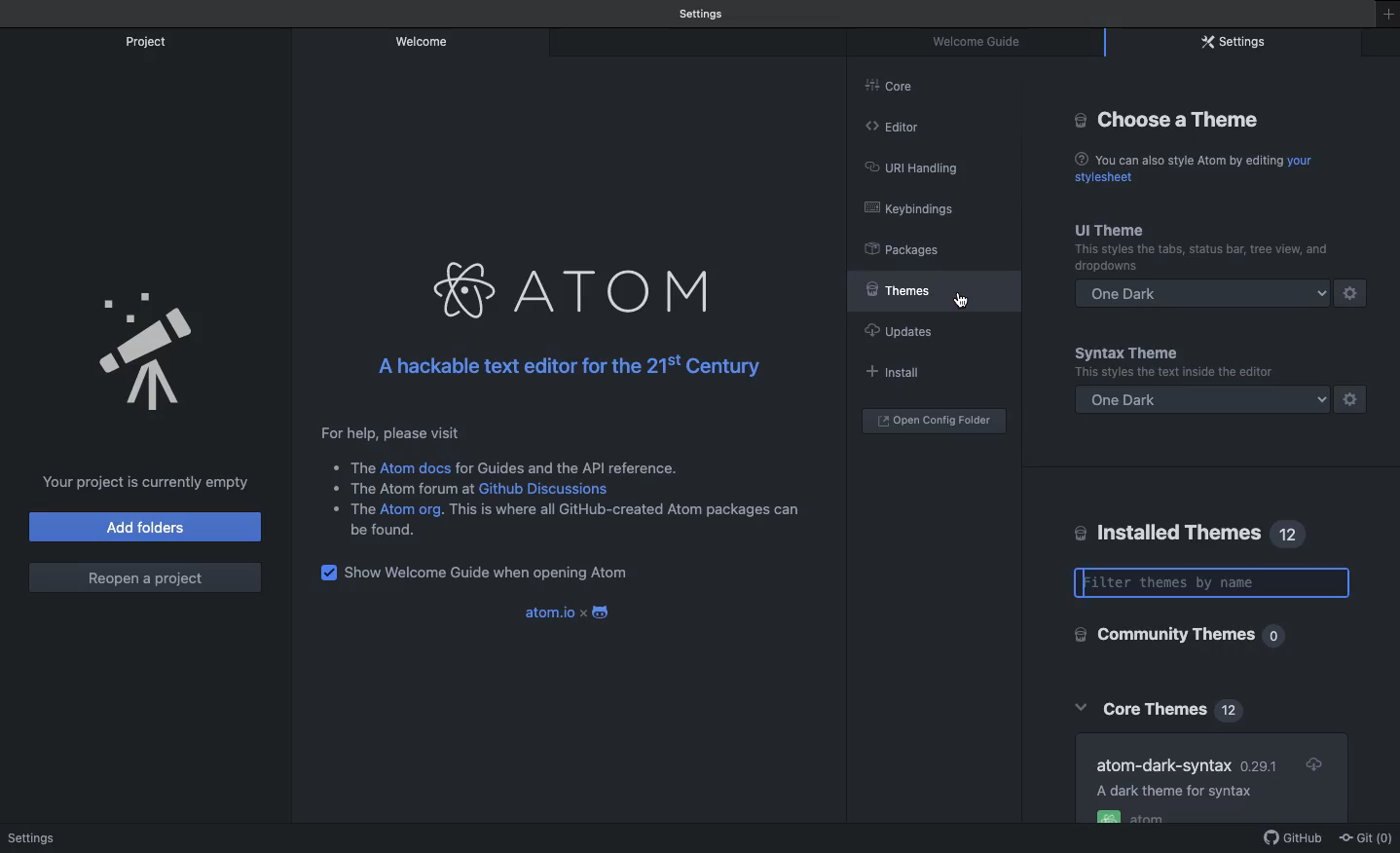 This screenshot has width=1400, height=853. What do you see at coordinates (1219, 400) in the screenshot?
I see `One dark` at bounding box center [1219, 400].